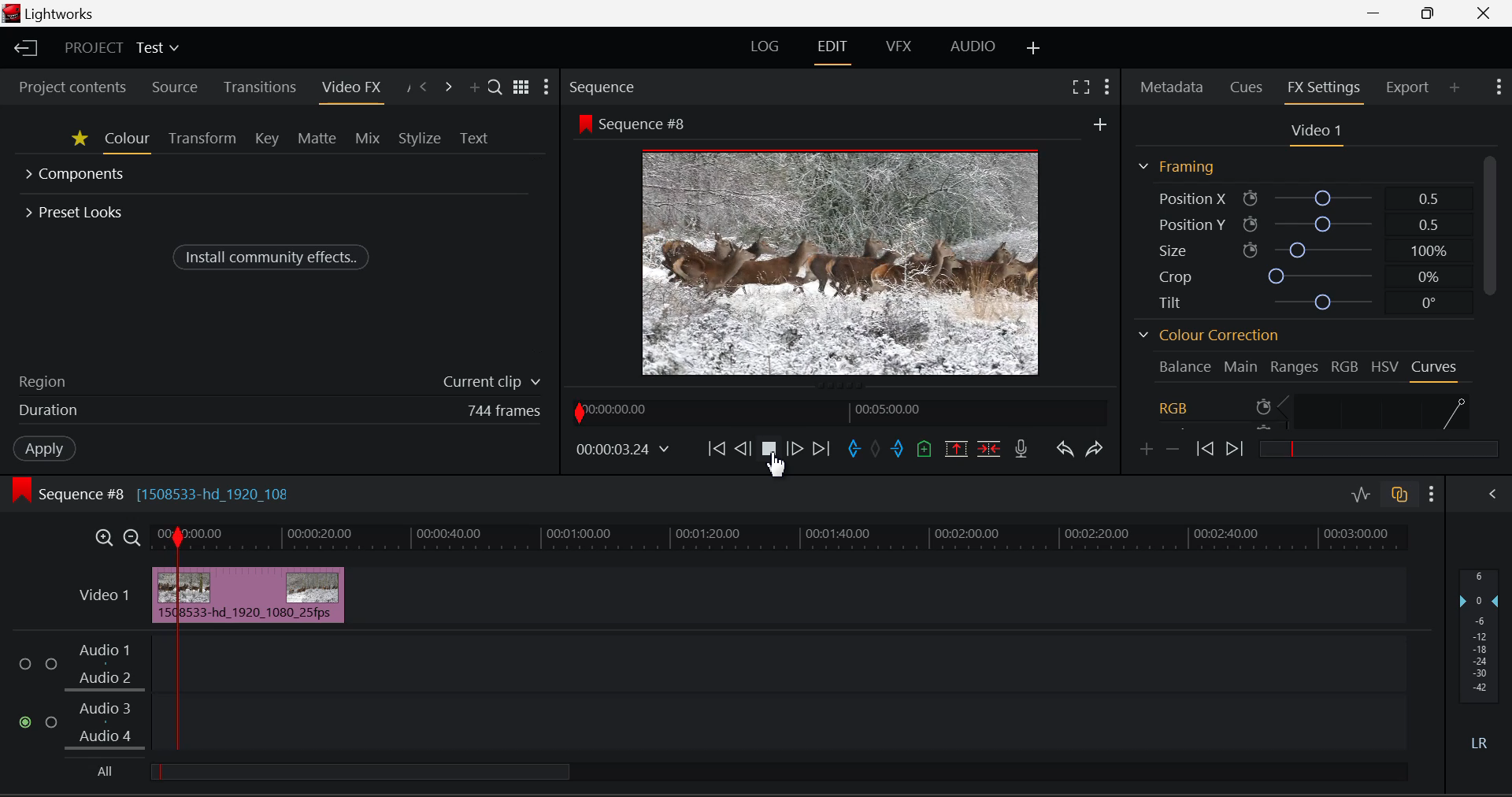 Image resolution: width=1512 pixels, height=797 pixels. Describe the element at coordinates (625, 451) in the screenshot. I see `Frame time` at that location.